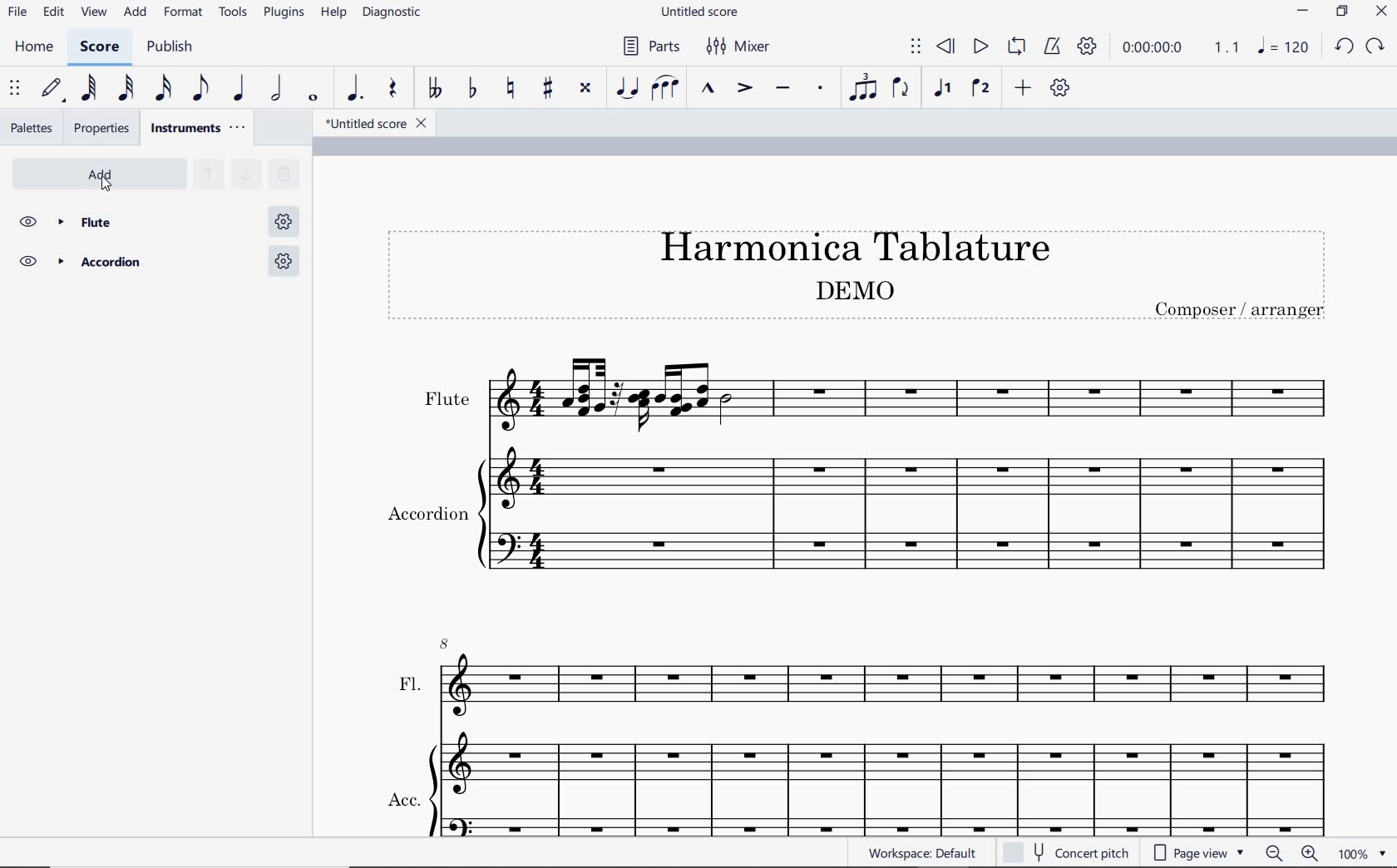 The width and height of the screenshot is (1397, 868). What do you see at coordinates (471, 90) in the screenshot?
I see `toggle flat` at bounding box center [471, 90].